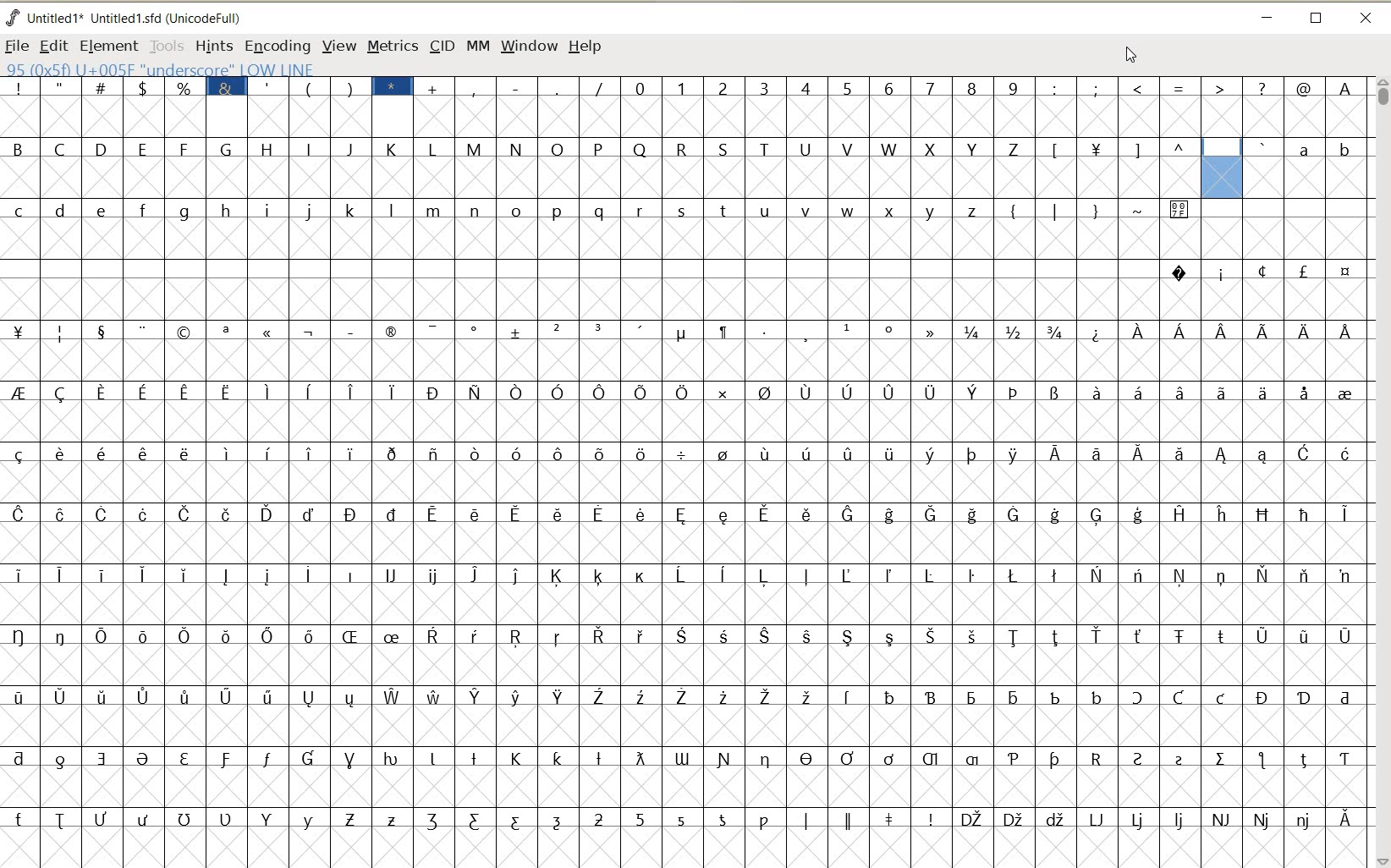  What do you see at coordinates (271, 463) in the screenshot?
I see `GLYPHY CHARACTERS` at bounding box center [271, 463].